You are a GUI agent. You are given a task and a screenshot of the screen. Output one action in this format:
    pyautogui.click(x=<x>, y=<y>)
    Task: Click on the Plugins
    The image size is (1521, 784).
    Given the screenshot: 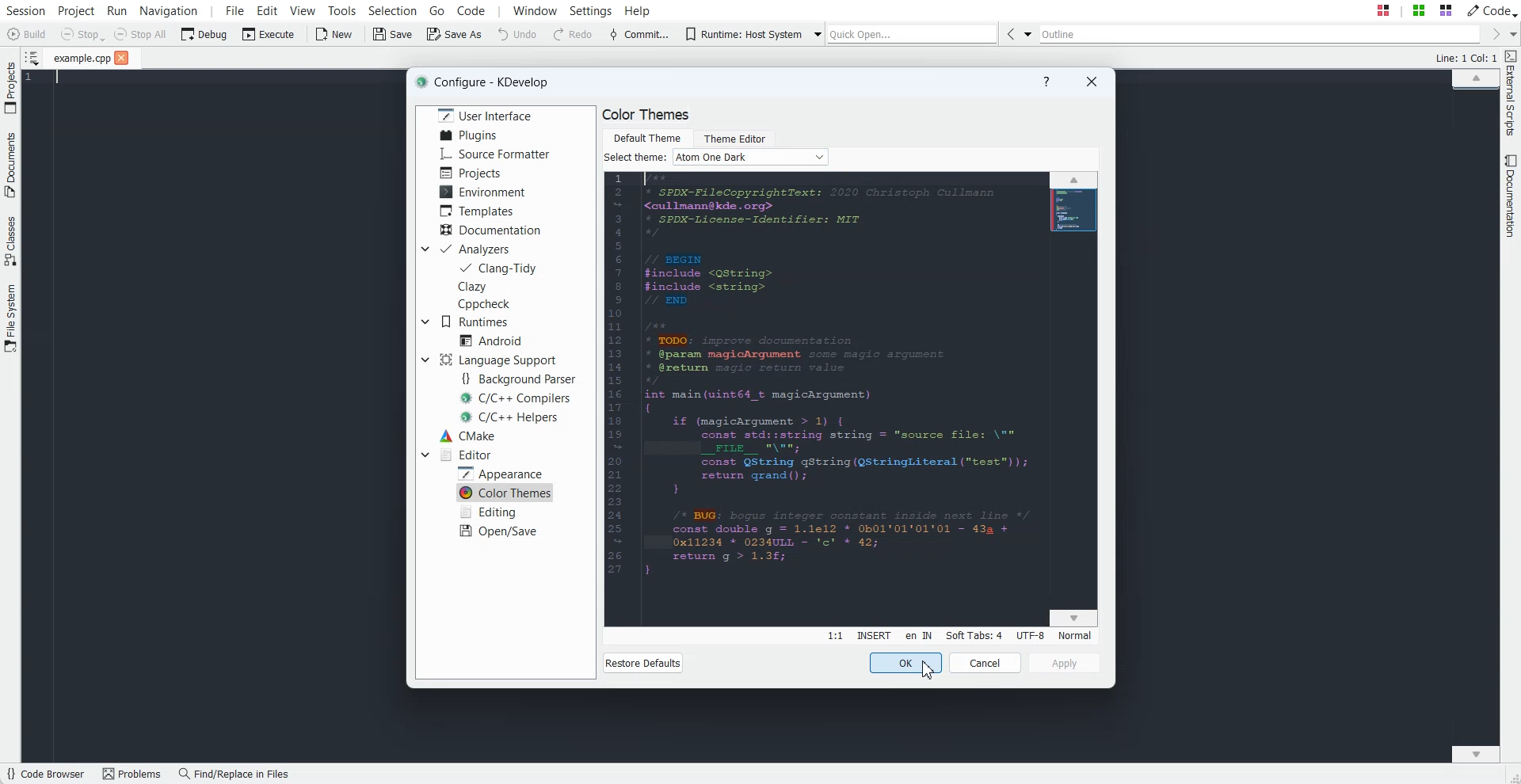 What is the action you would take?
    pyautogui.click(x=468, y=135)
    